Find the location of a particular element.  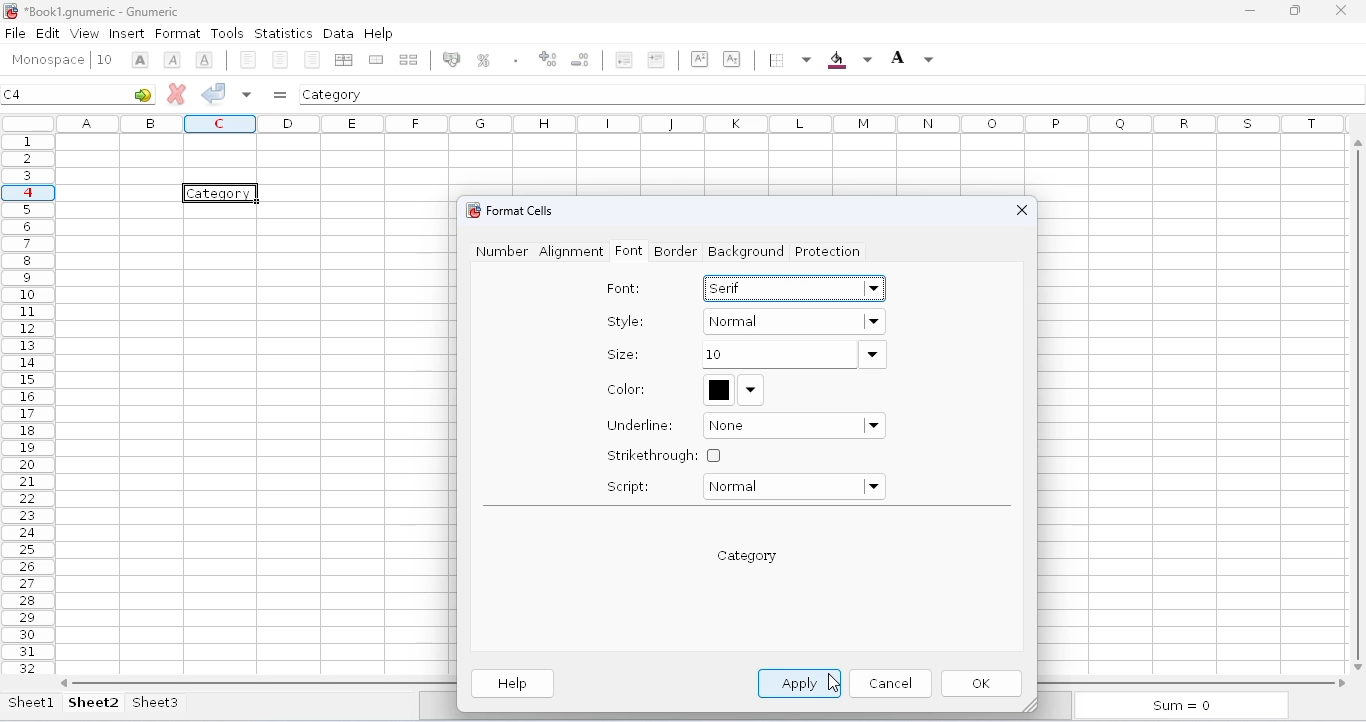

style: is located at coordinates (626, 321).